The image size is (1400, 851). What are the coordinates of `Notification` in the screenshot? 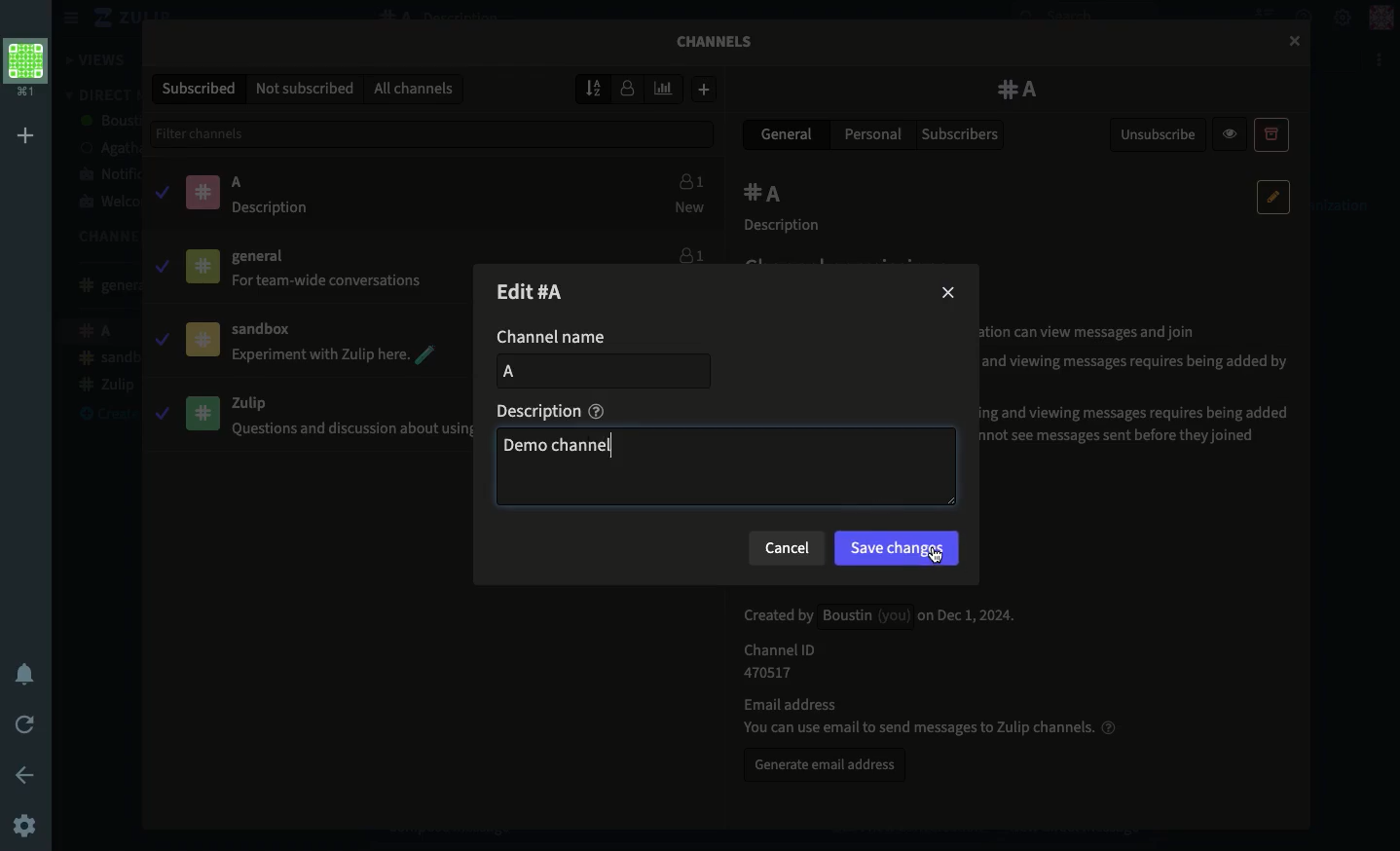 It's located at (25, 676).